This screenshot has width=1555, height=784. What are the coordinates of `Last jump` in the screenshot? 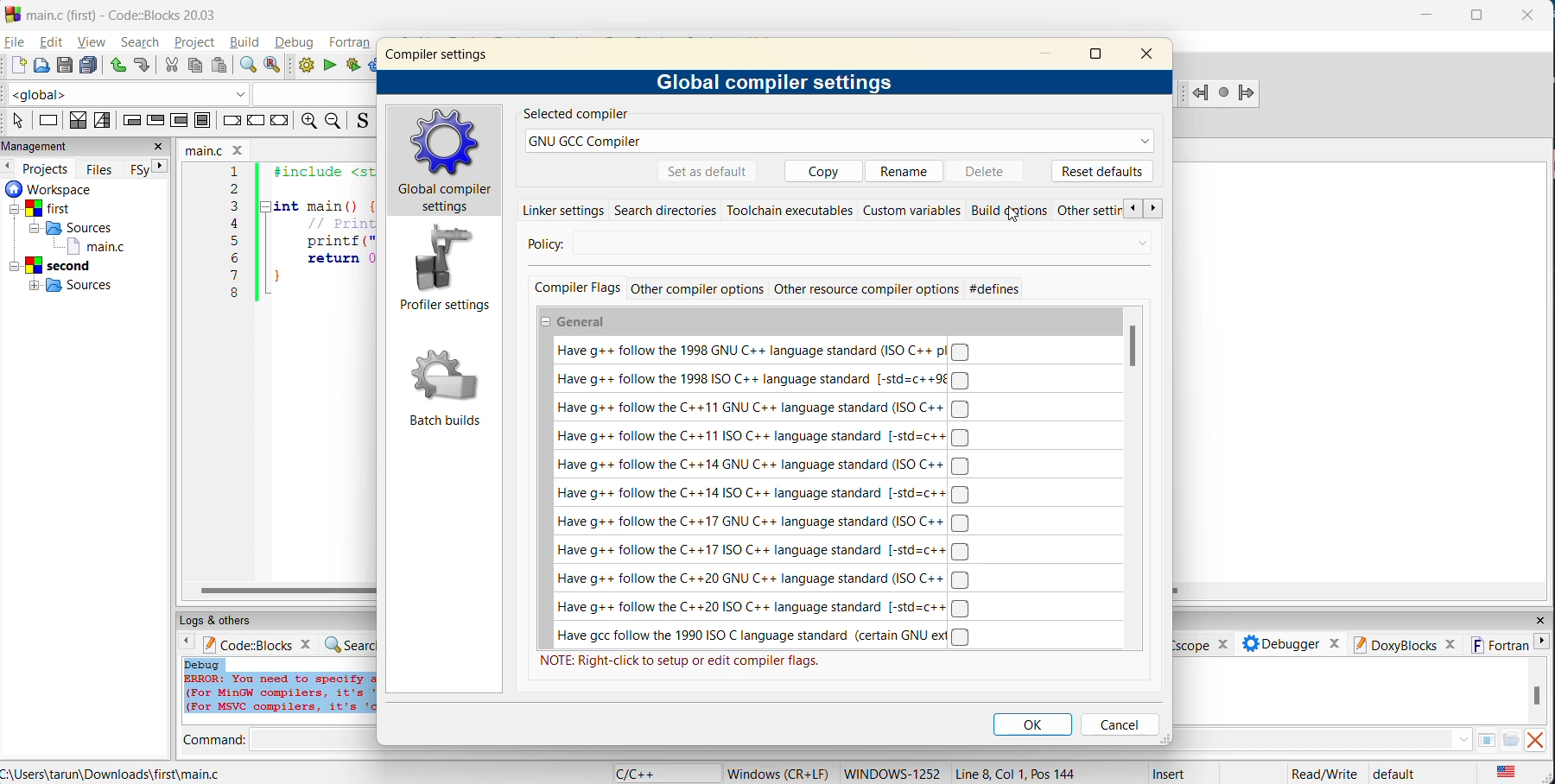 It's located at (1222, 93).